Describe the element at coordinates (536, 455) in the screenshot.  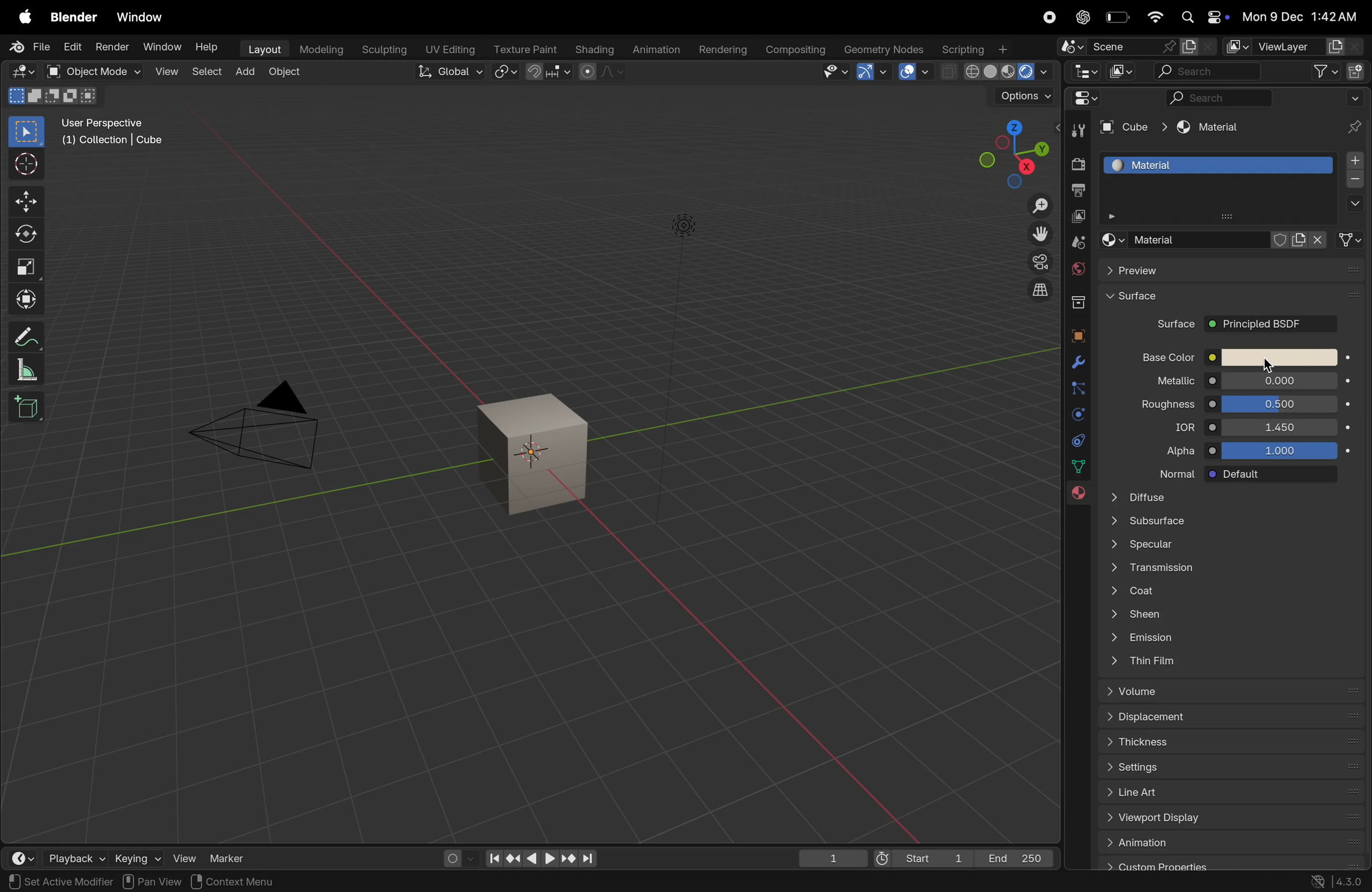
I see `cube` at that location.